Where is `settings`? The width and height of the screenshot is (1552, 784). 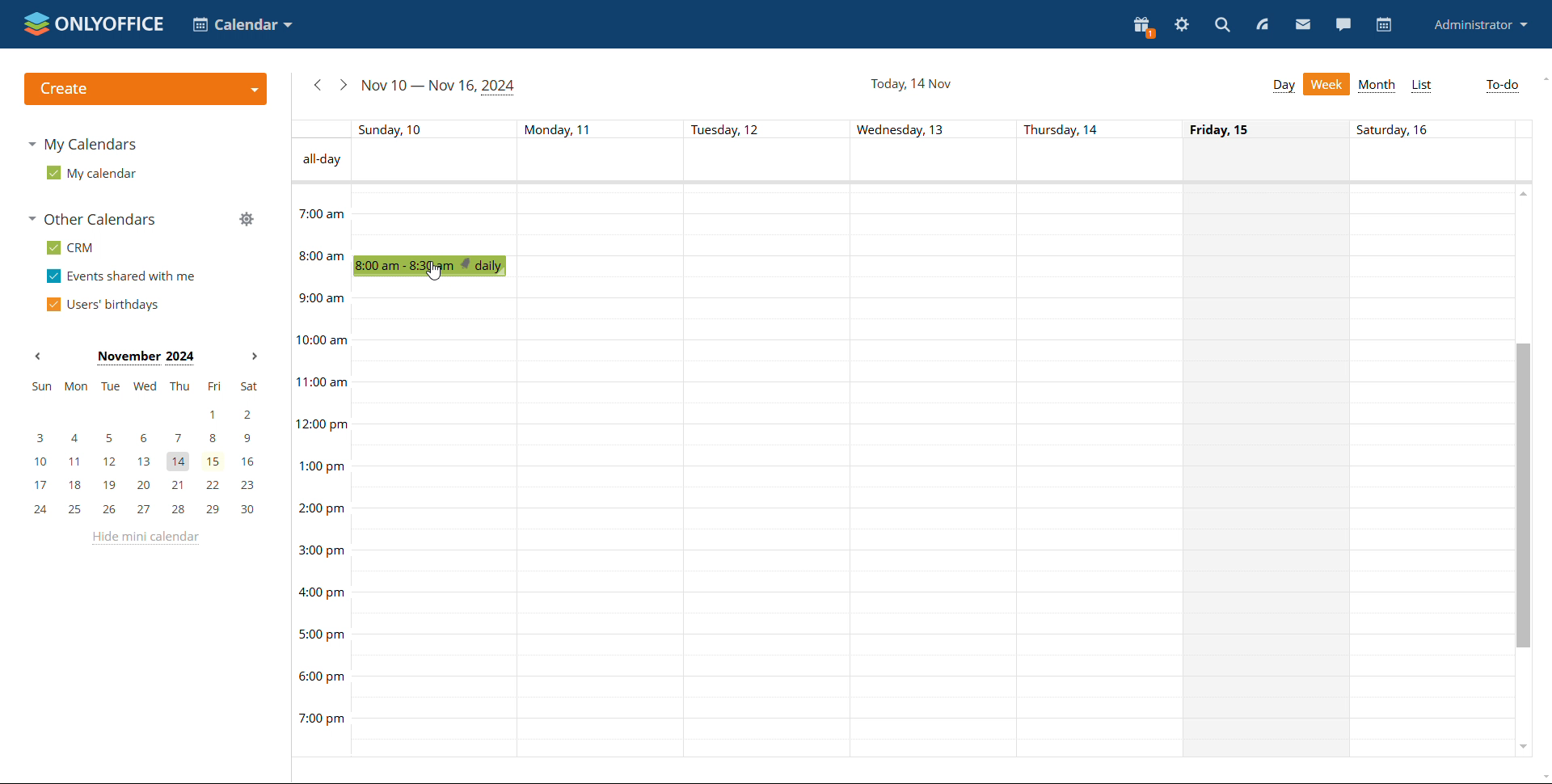 settings is located at coordinates (1182, 25).